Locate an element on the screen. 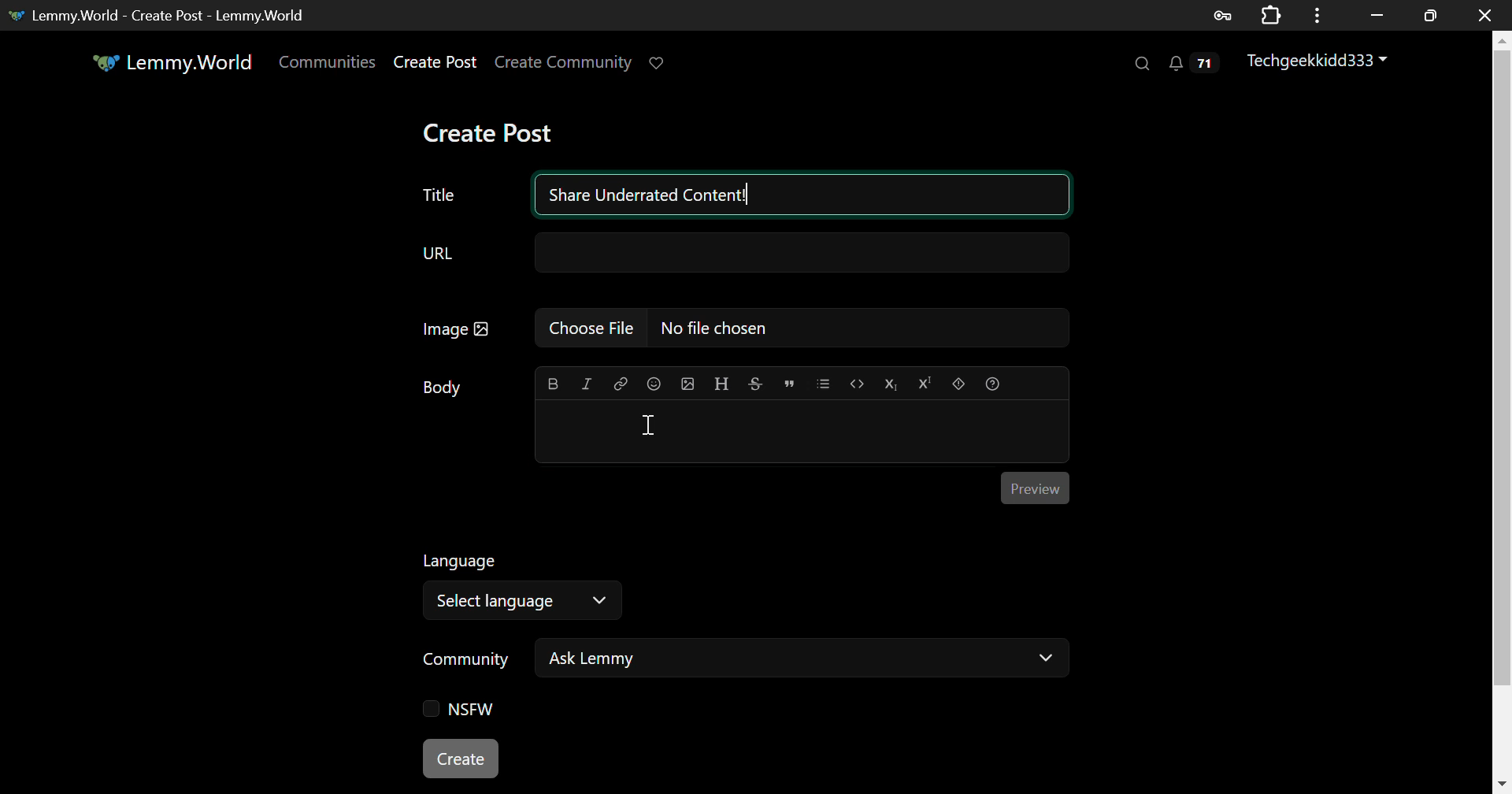 This screenshot has height=794, width=1512. Superscript is located at coordinates (923, 382).